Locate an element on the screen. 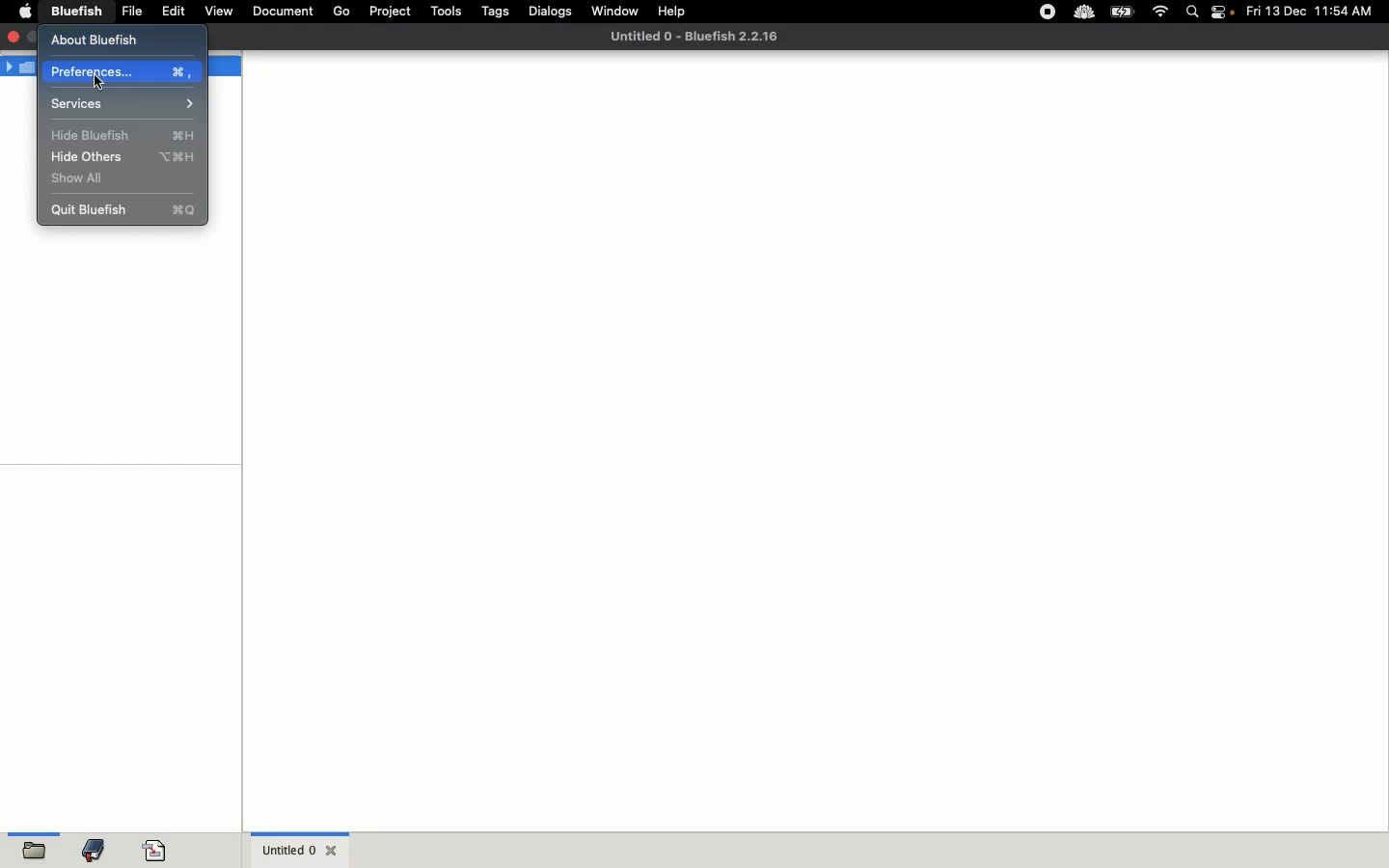 The height and width of the screenshot is (868, 1389). Quit bluefish is located at coordinates (125, 209).